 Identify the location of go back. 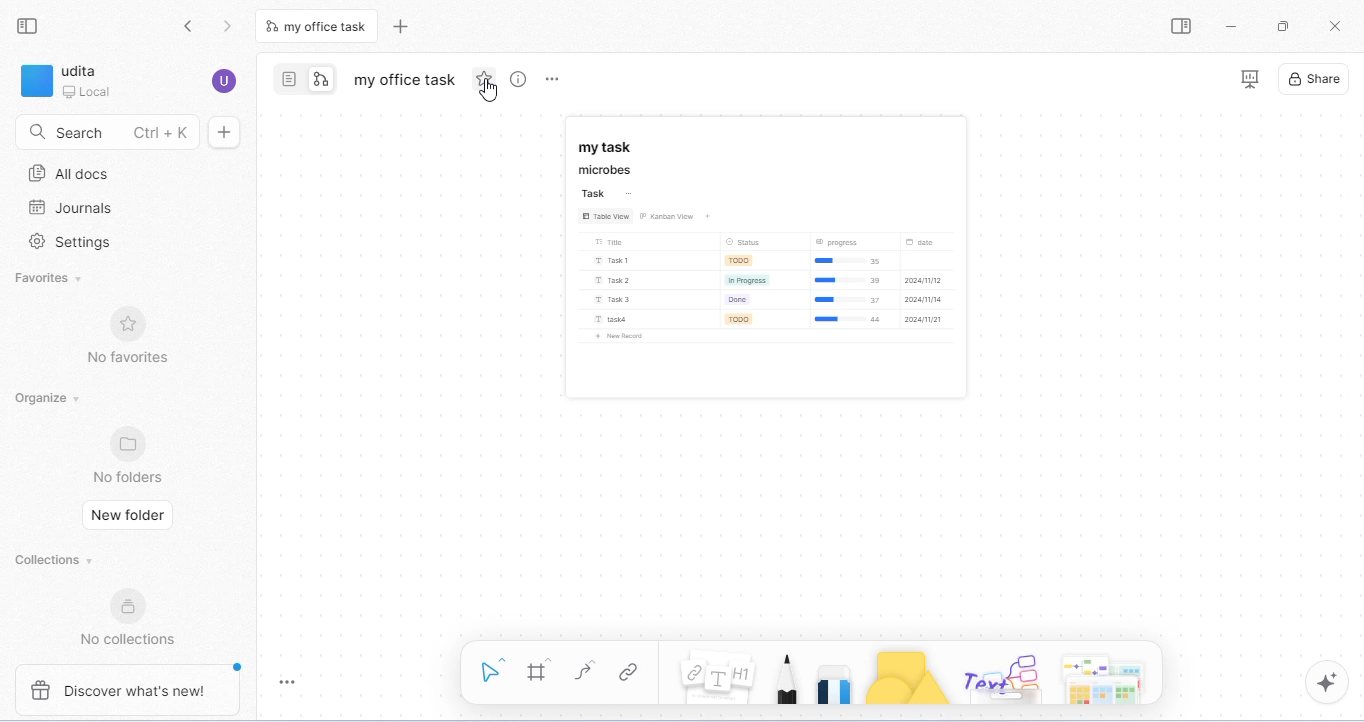
(191, 28).